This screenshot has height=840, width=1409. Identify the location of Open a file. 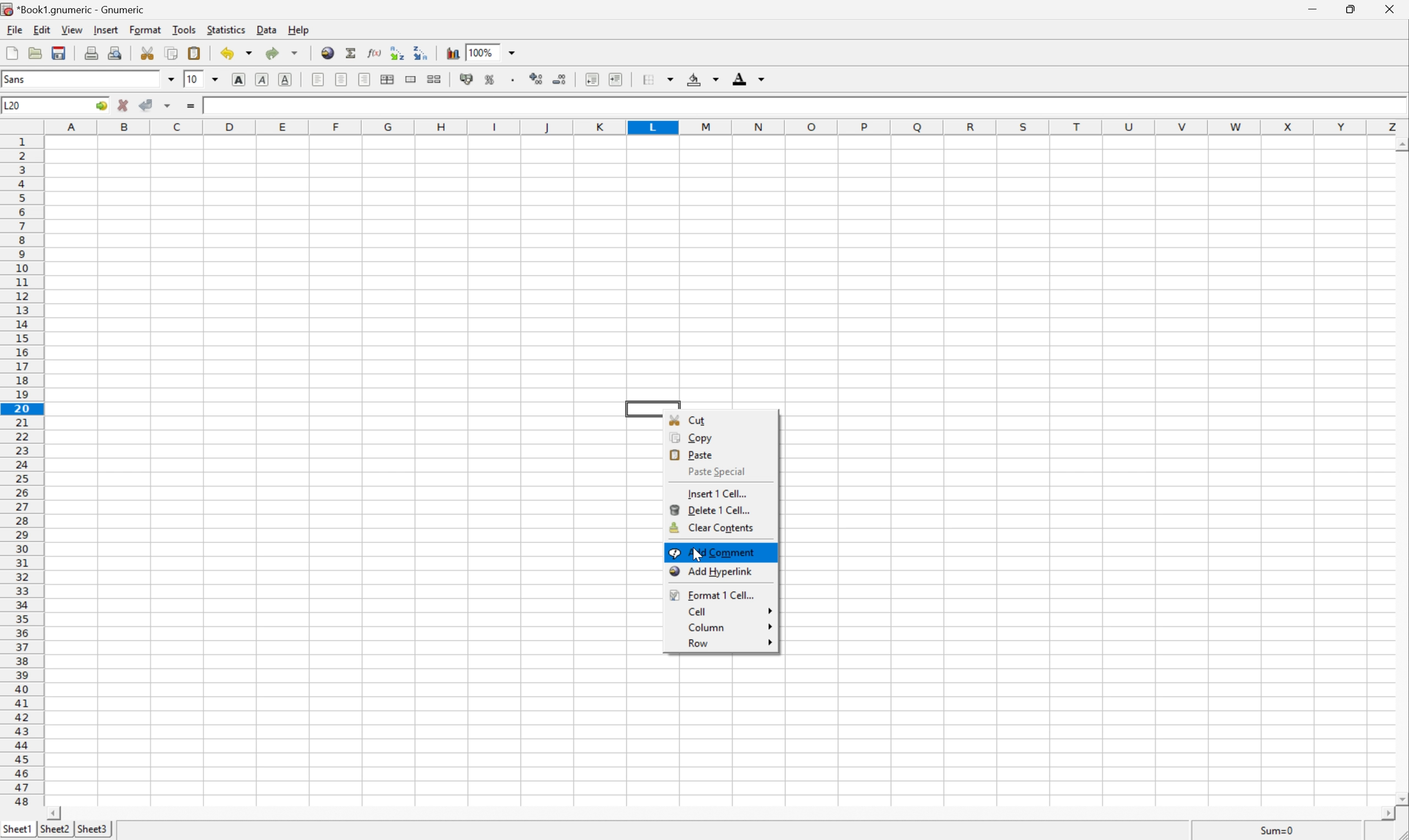
(35, 53).